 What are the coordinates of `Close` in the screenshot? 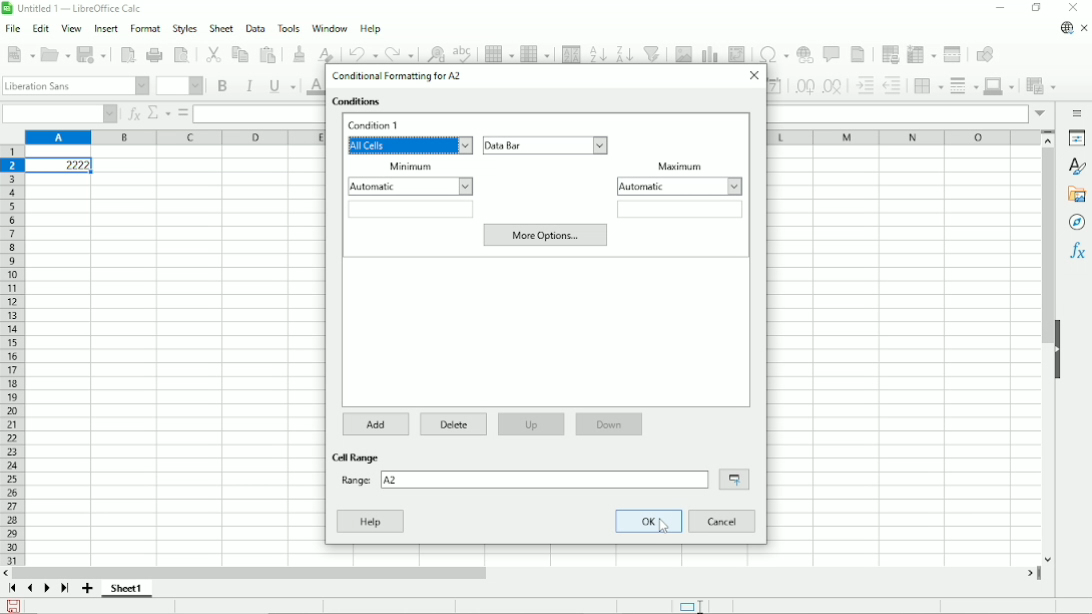 It's located at (1073, 8).